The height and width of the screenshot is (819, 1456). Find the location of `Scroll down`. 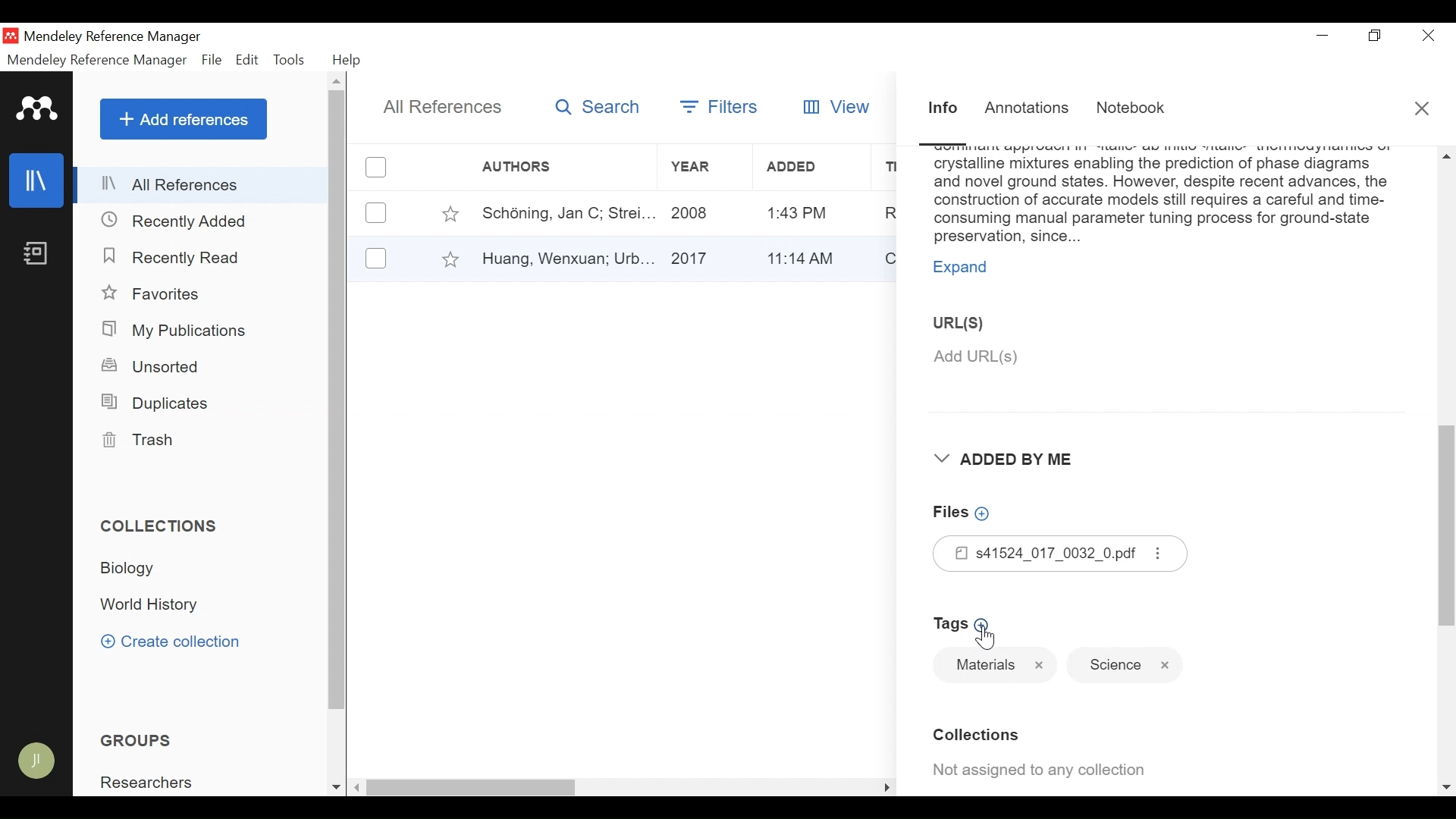

Scroll down is located at coordinates (1447, 789).